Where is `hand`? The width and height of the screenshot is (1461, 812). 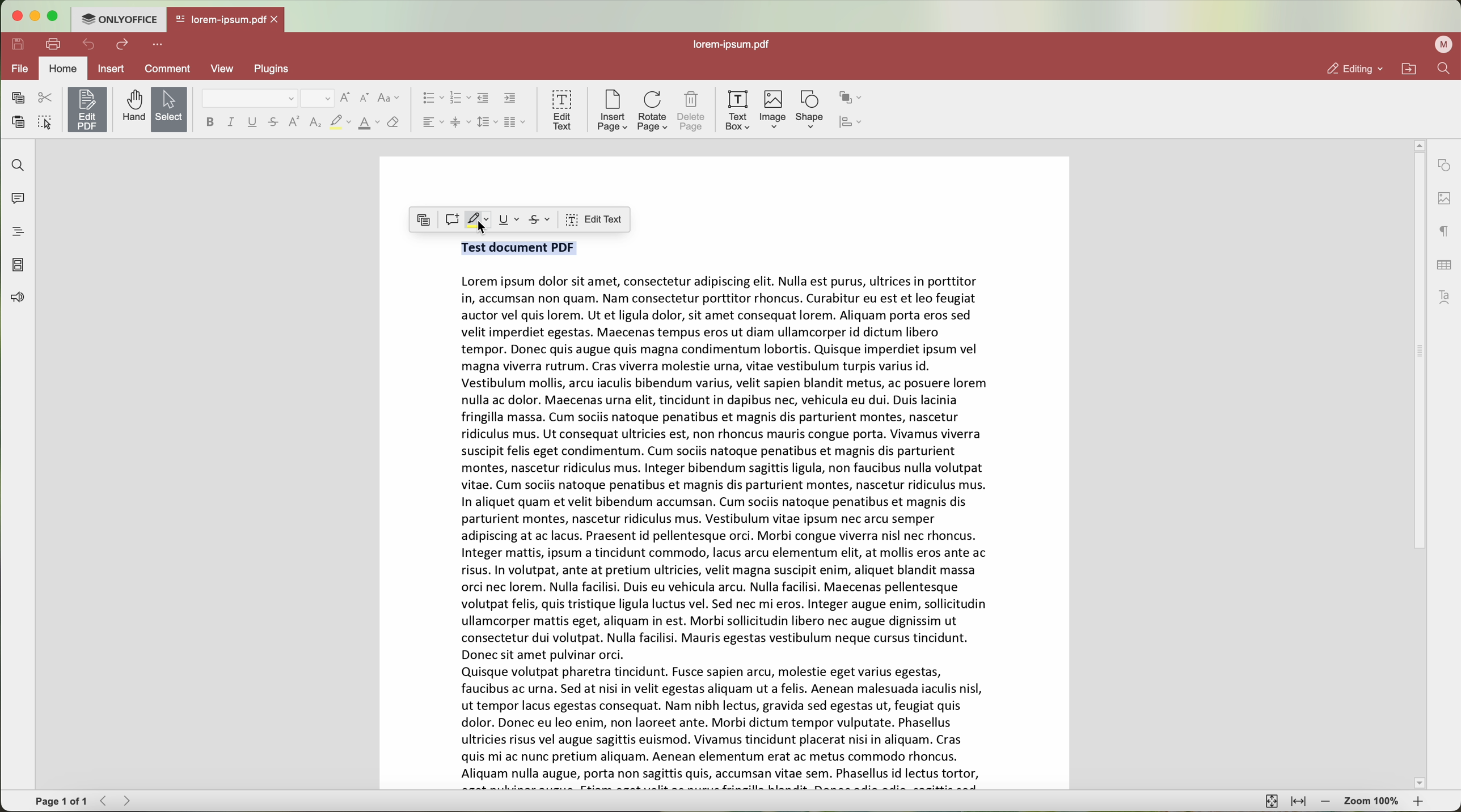
hand is located at coordinates (129, 107).